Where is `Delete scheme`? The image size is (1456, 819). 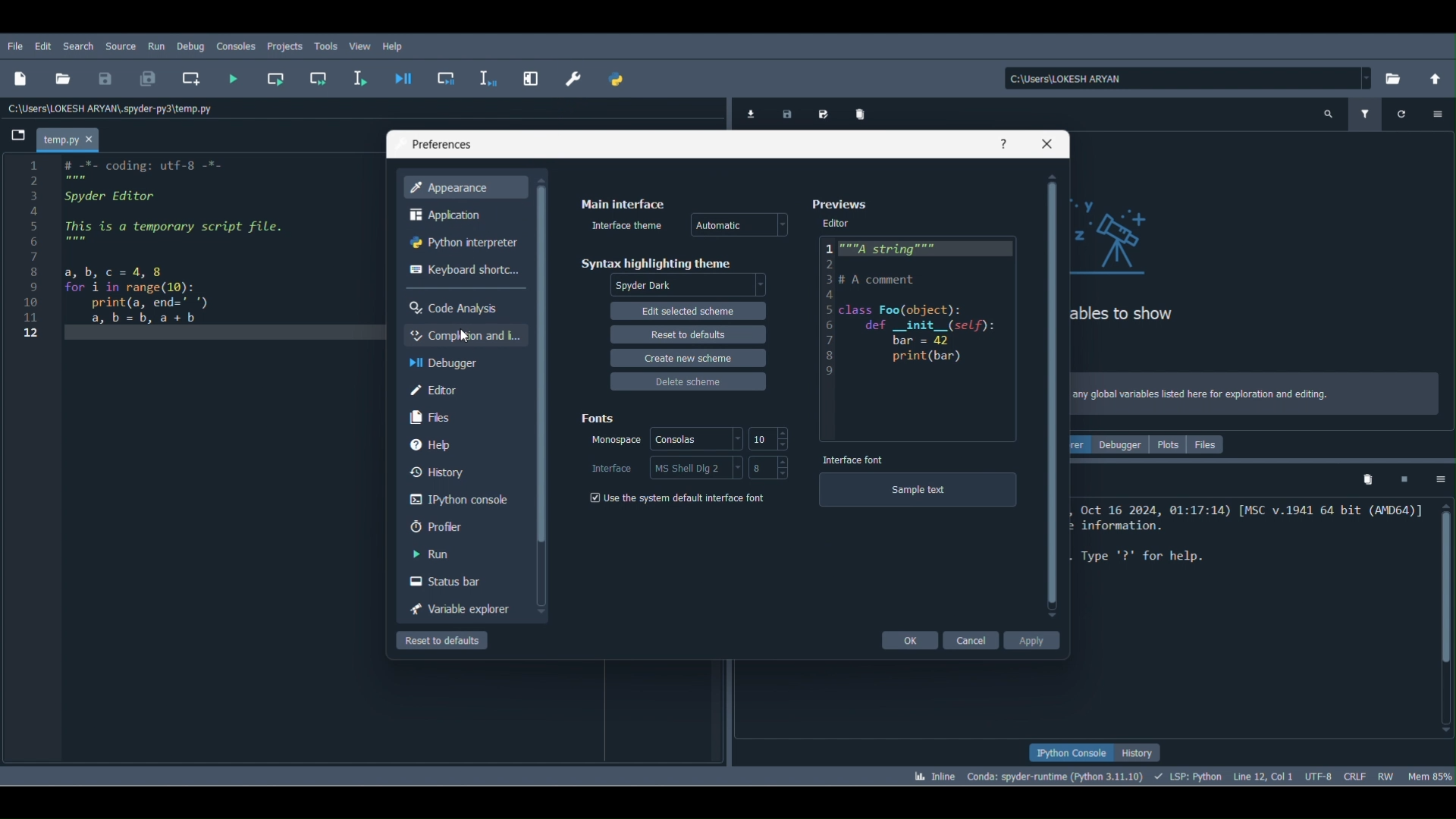 Delete scheme is located at coordinates (691, 385).